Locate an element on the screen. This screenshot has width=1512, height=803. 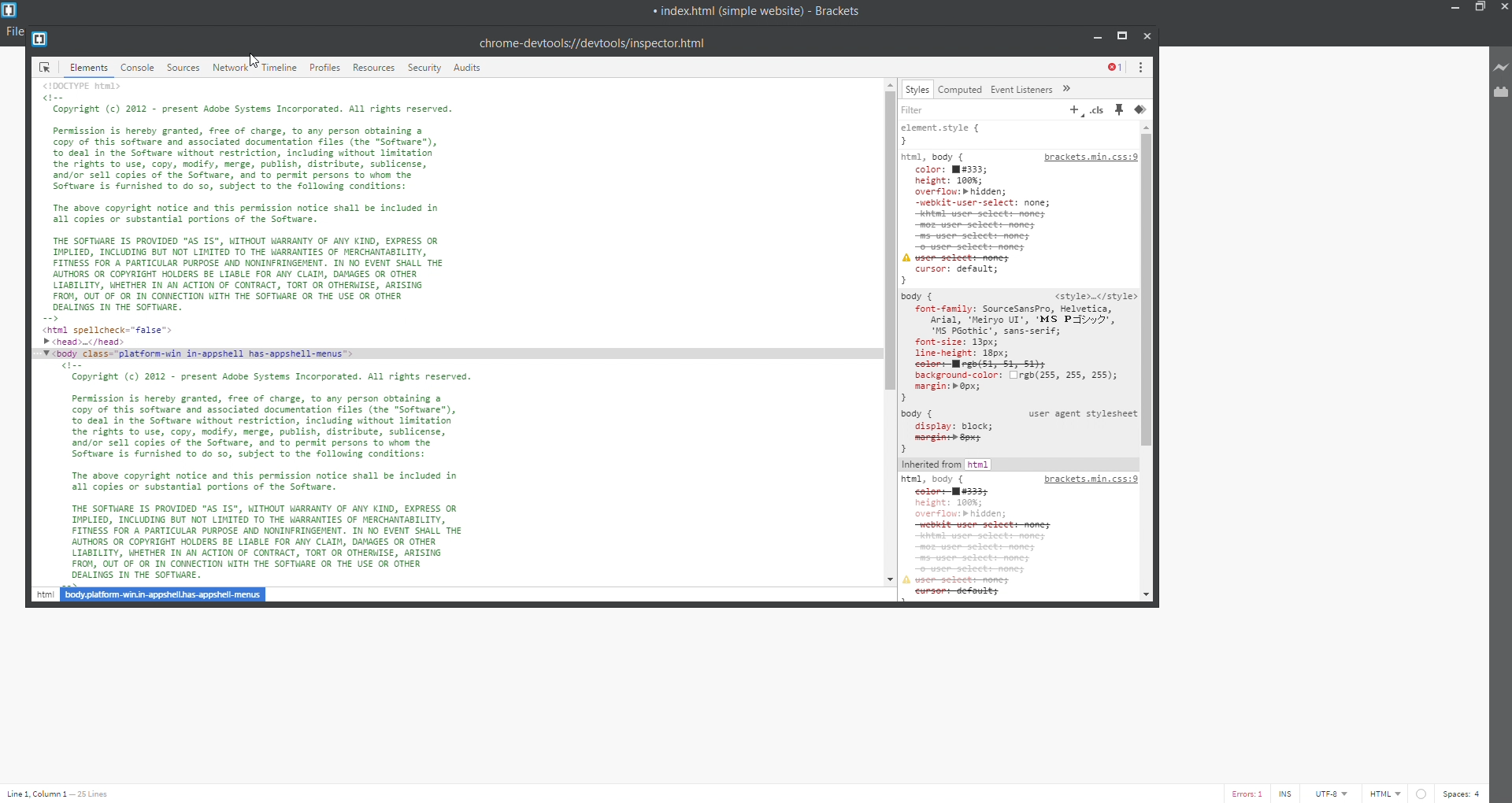
file type is located at coordinates (1384, 794).